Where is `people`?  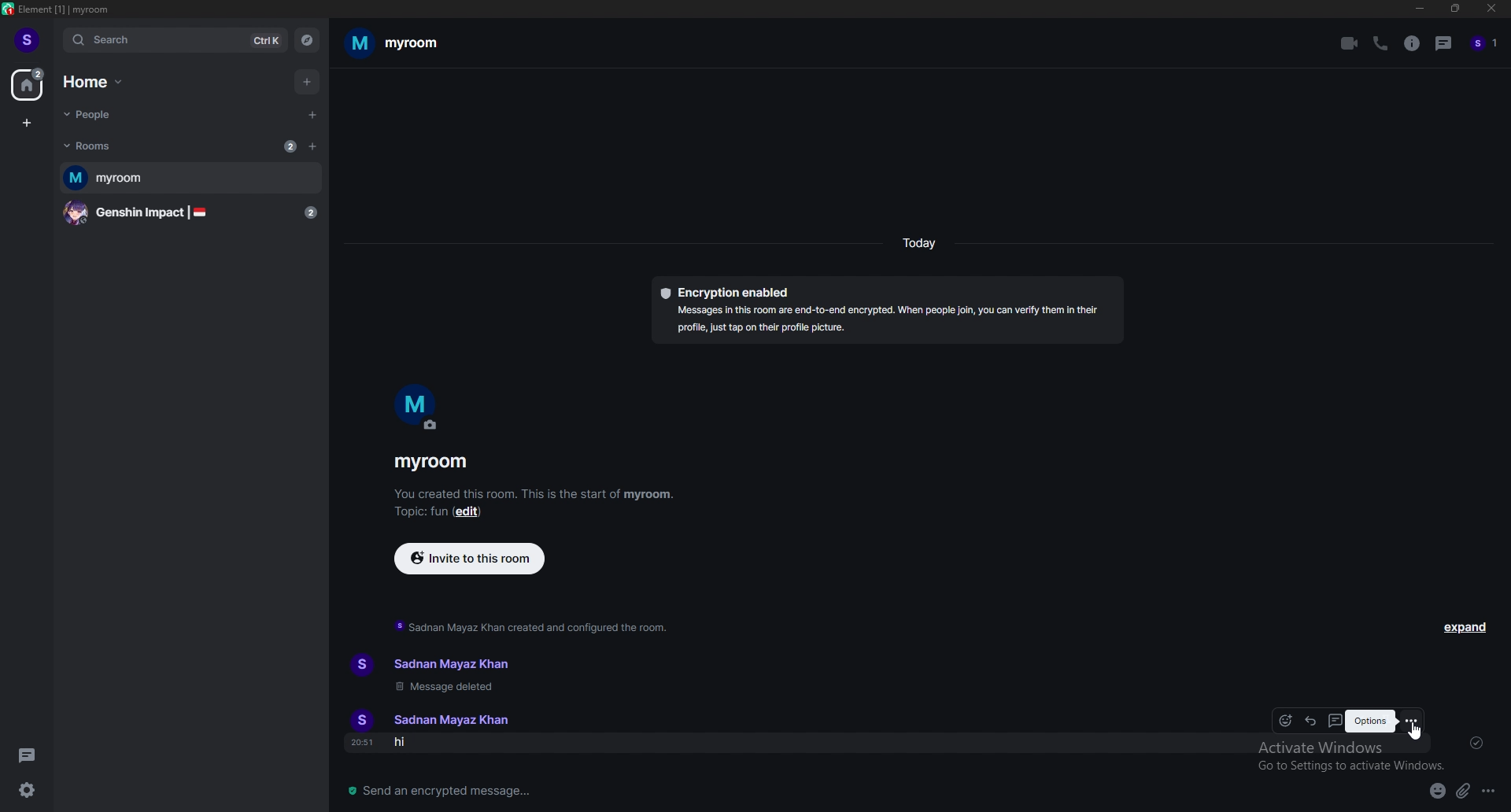 people is located at coordinates (98, 116).